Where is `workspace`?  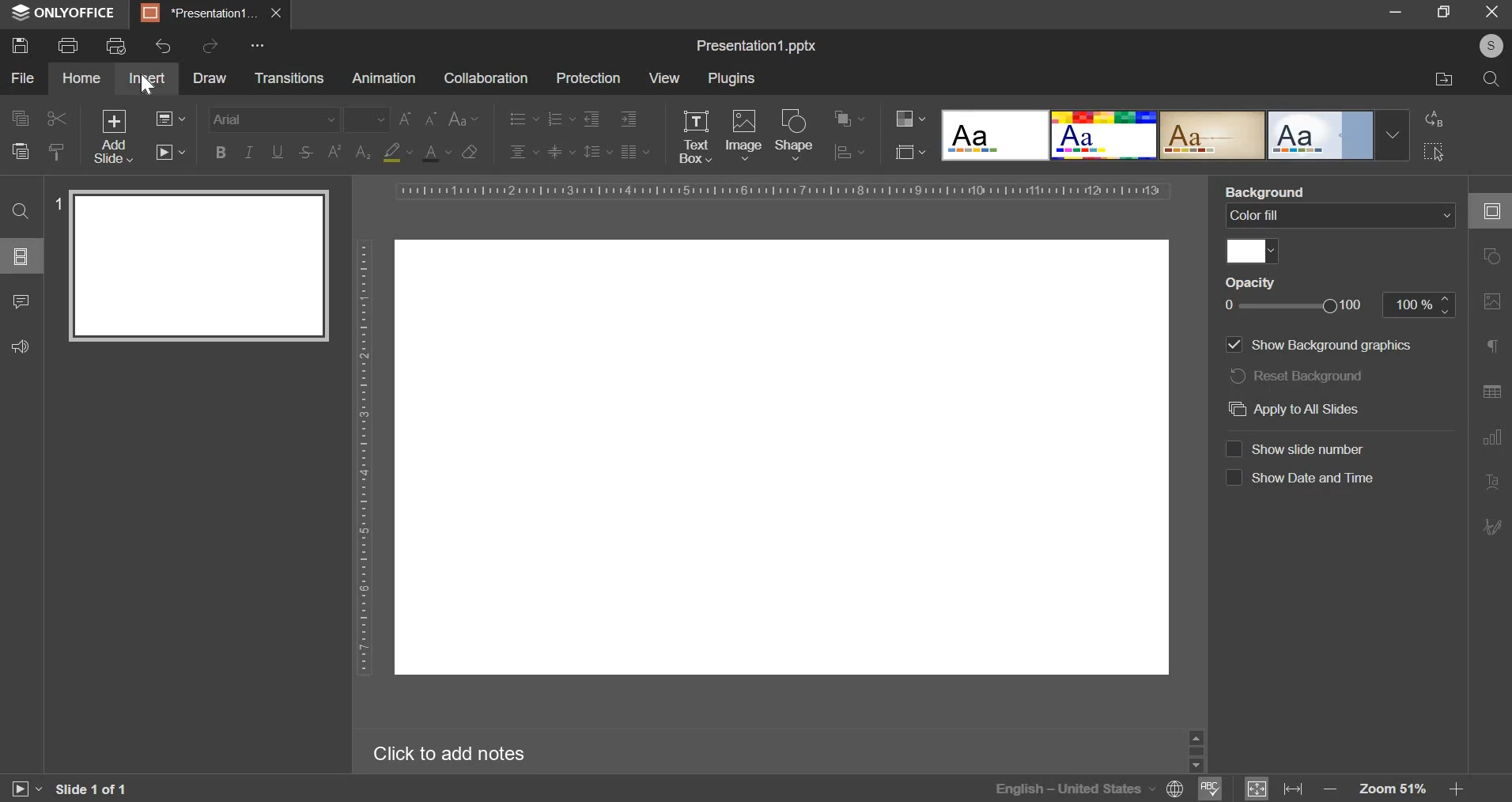 workspace is located at coordinates (780, 459).